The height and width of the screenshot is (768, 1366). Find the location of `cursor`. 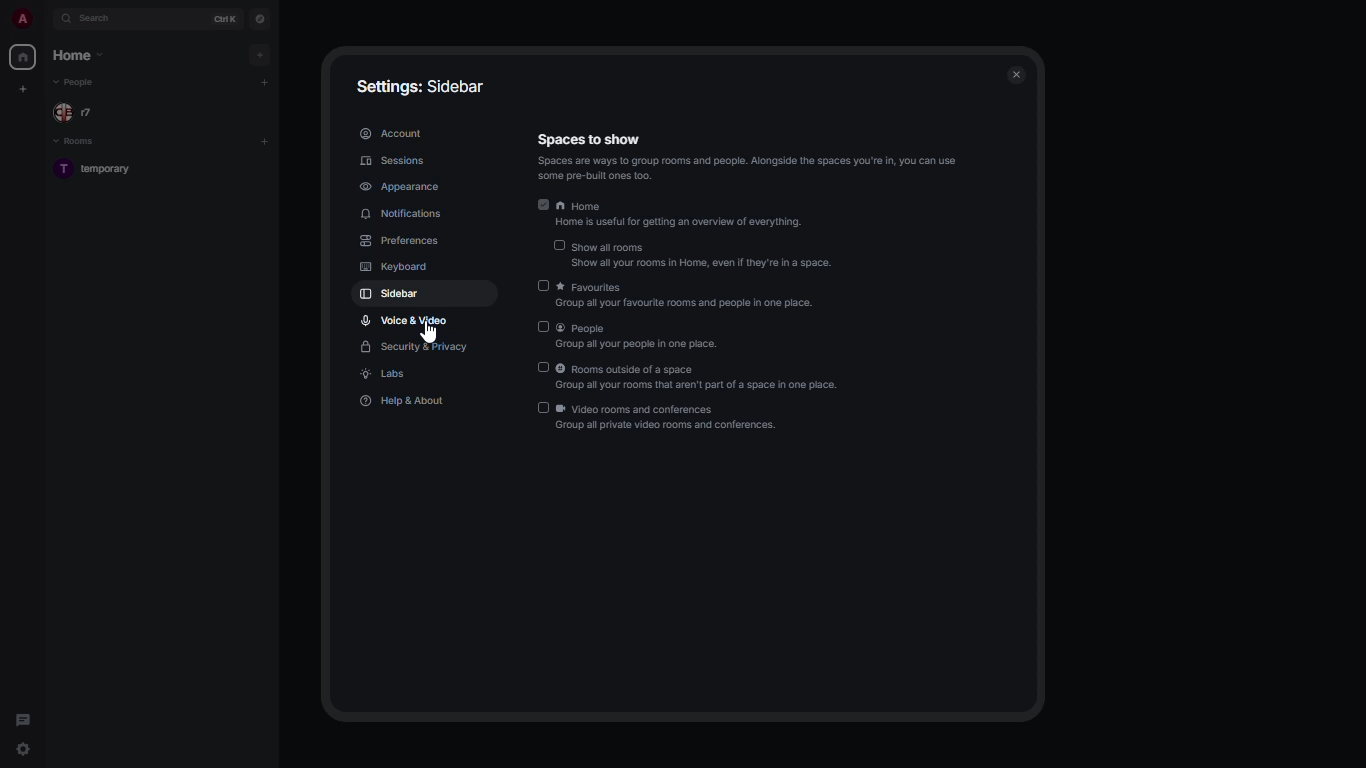

cursor is located at coordinates (429, 334).